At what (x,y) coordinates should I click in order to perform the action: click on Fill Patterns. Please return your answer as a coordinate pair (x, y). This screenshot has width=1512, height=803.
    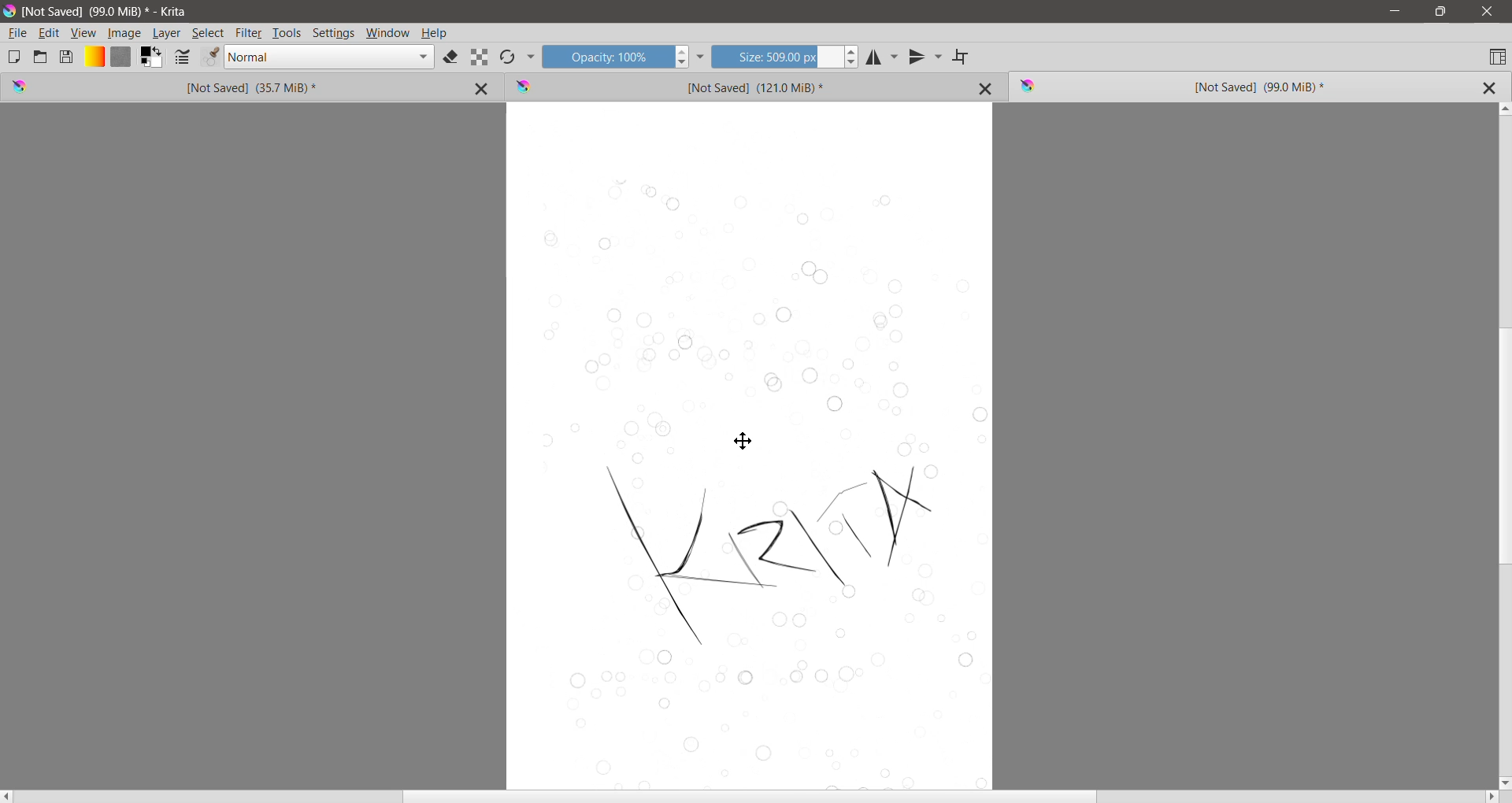
    Looking at the image, I should click on (120, 57).